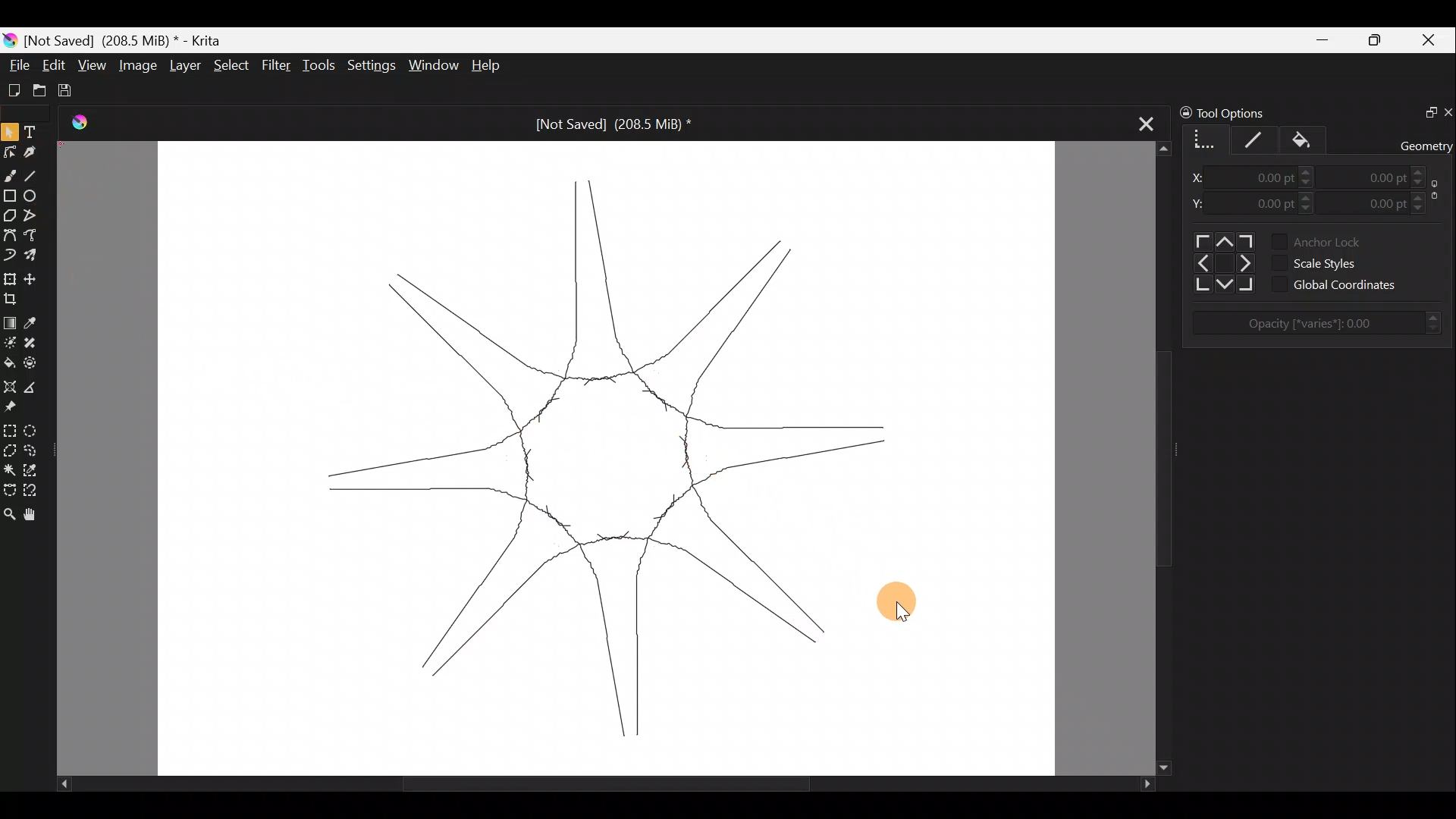 This screenshot has width=1456, height=819. What do you see at coordinates (15, 297) in the screenshot?
I see `Crop an image` at bounding box center [15, 297].